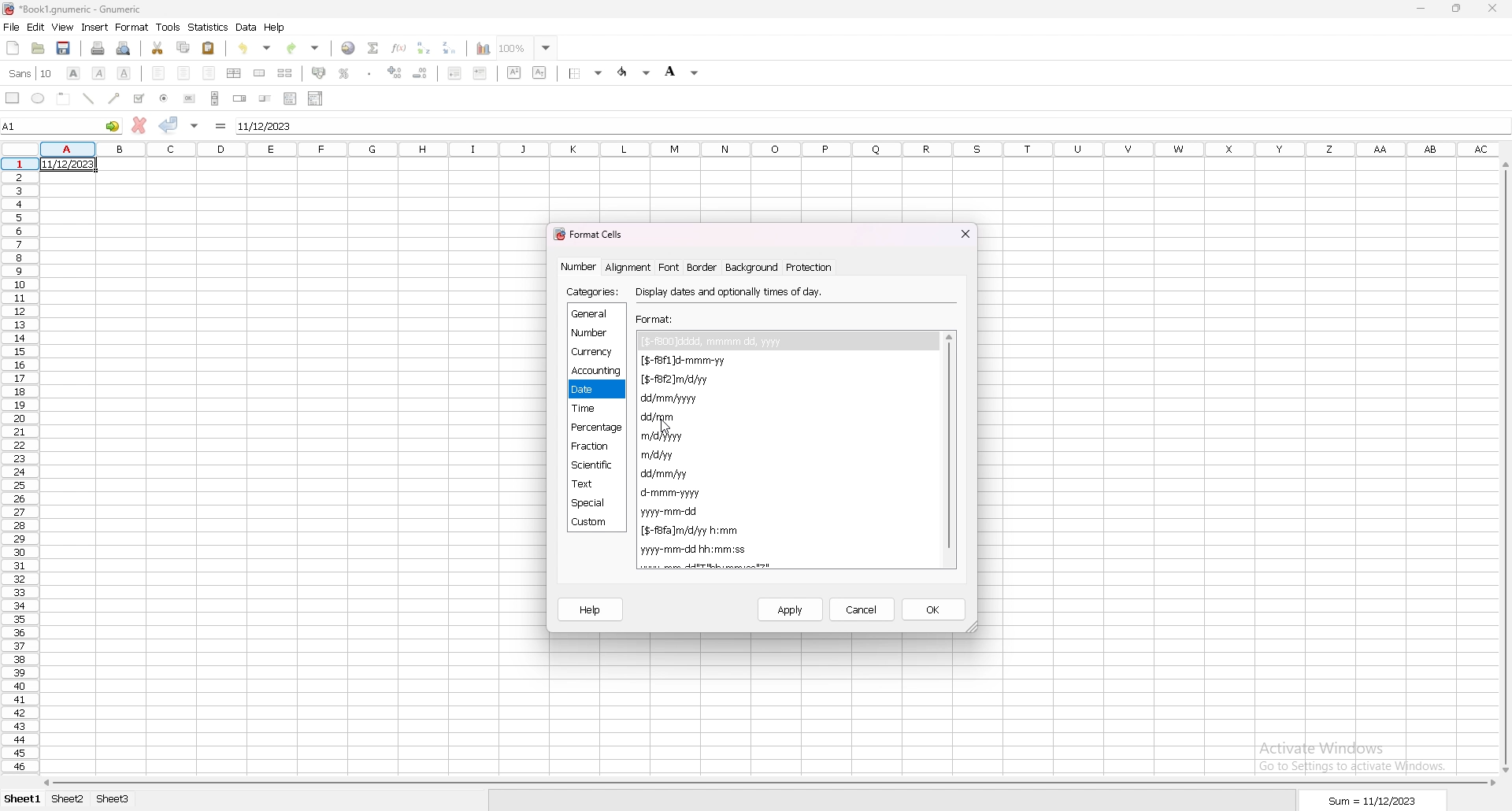 Image resolution: width=1512 pixels, height=811 pixels. What do you see at coordinates (1373, 801) in the screenshot?
I see `sum` at bounding box center [1373, 801].